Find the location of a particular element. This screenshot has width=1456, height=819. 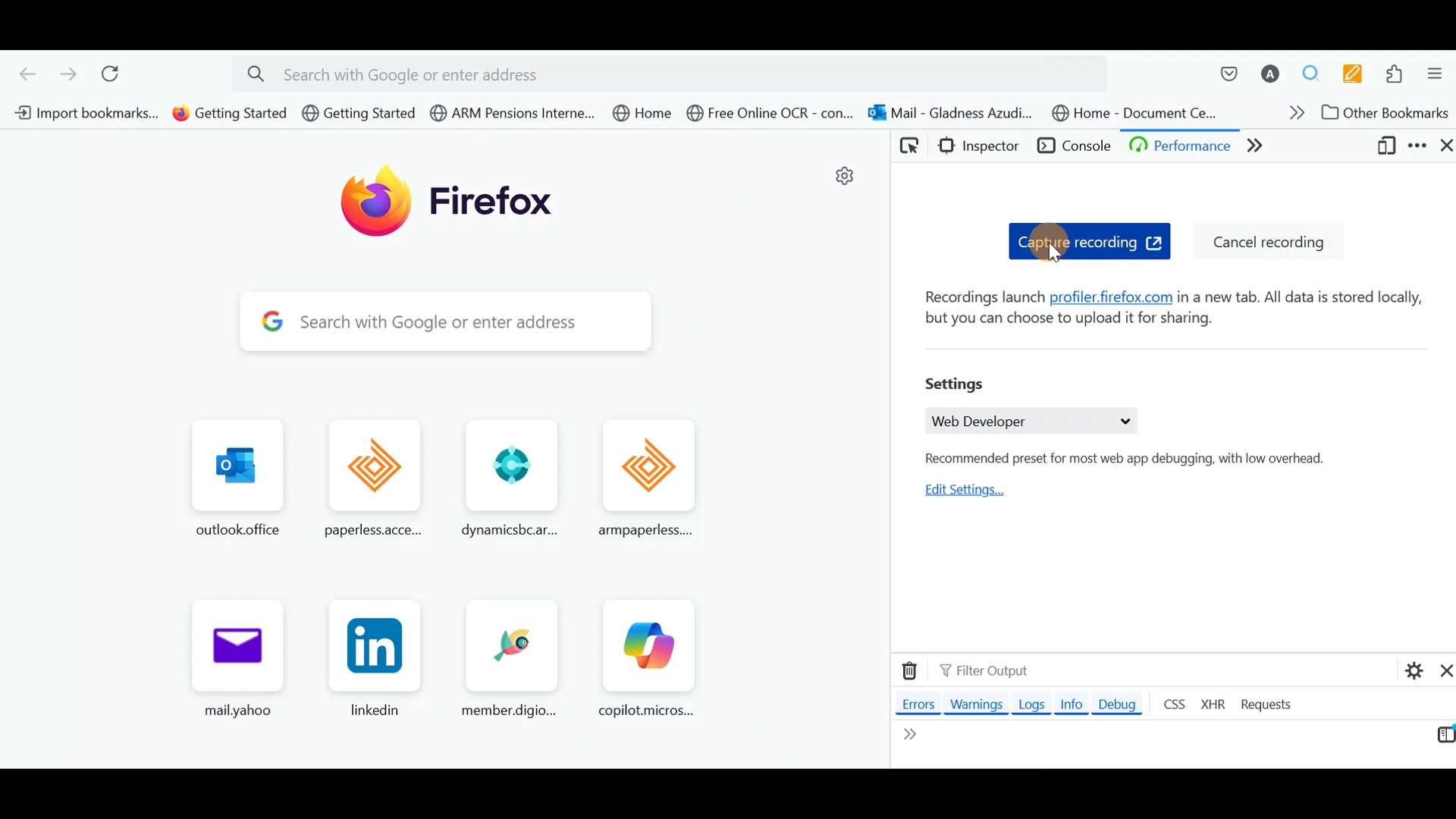

Console is located at coordinates (1076, 146).